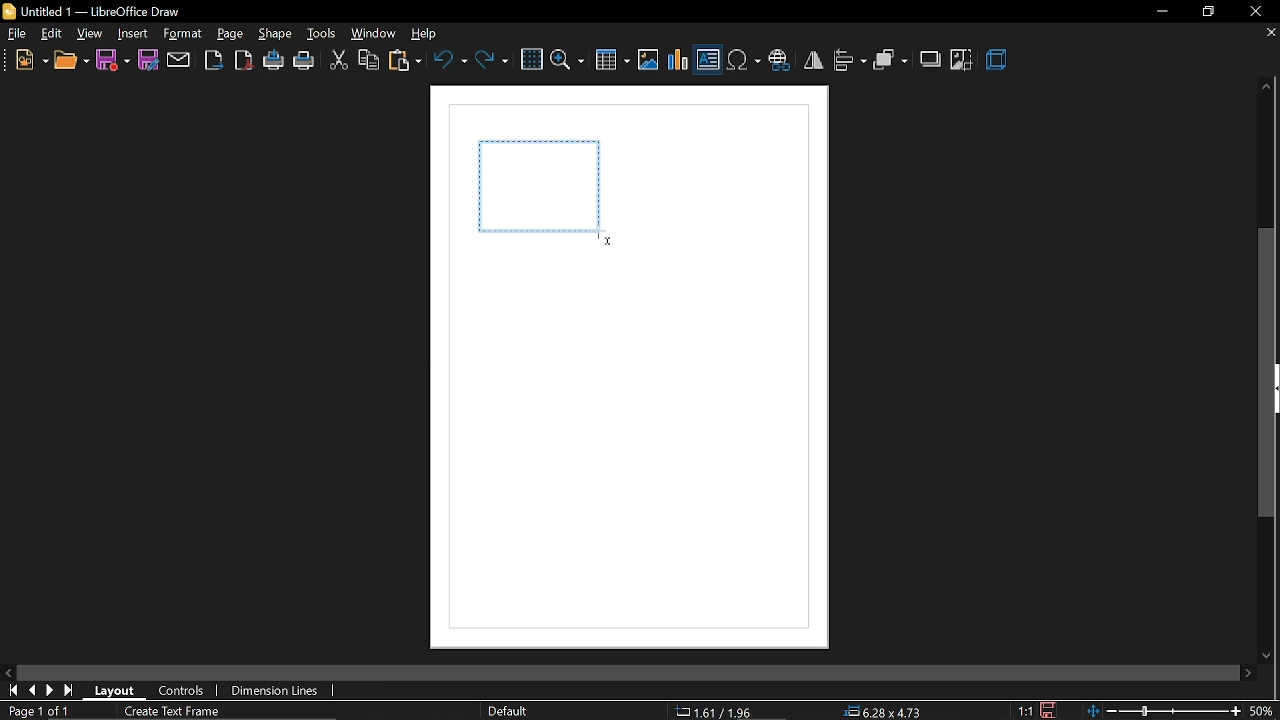 Image resolution: width=1280 pixels, height=720 pixels. I want to click on create text frame, so click(174, 712).